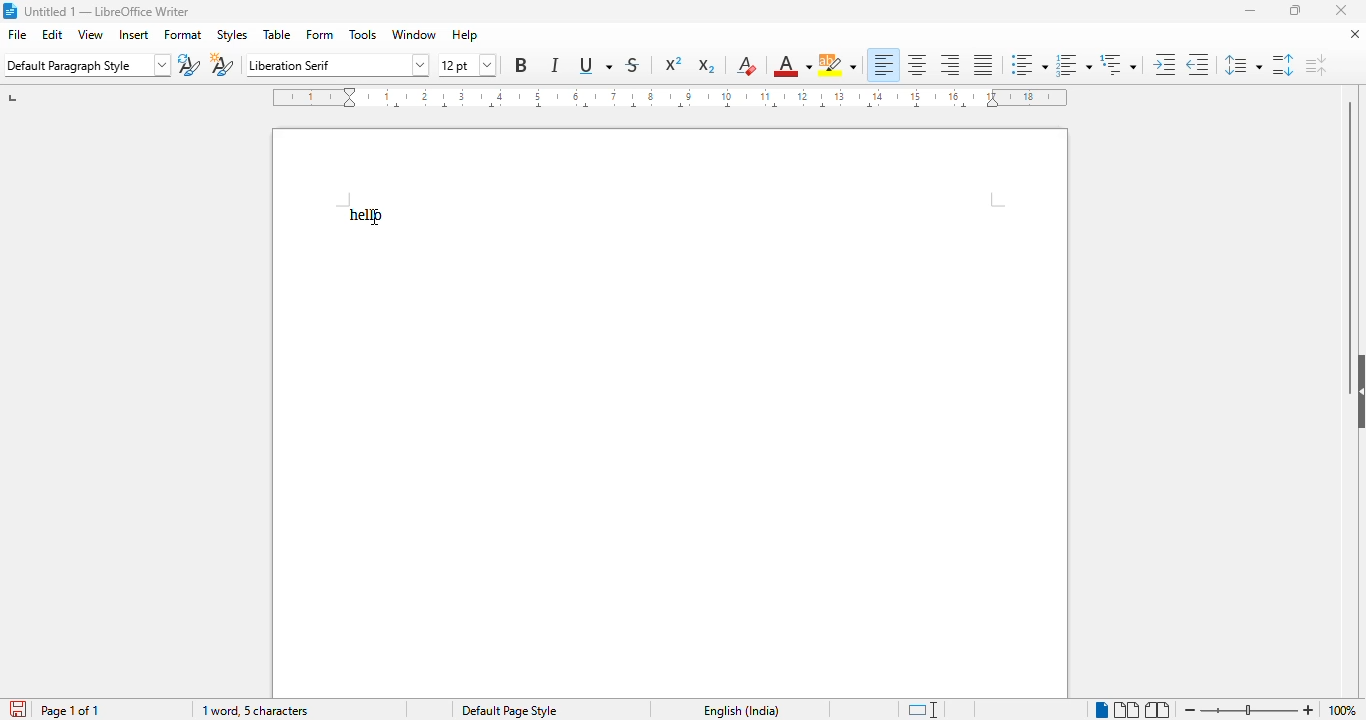  Describe the element at coordinates (1342, 9) in the screenshot. I see `close` at that location.